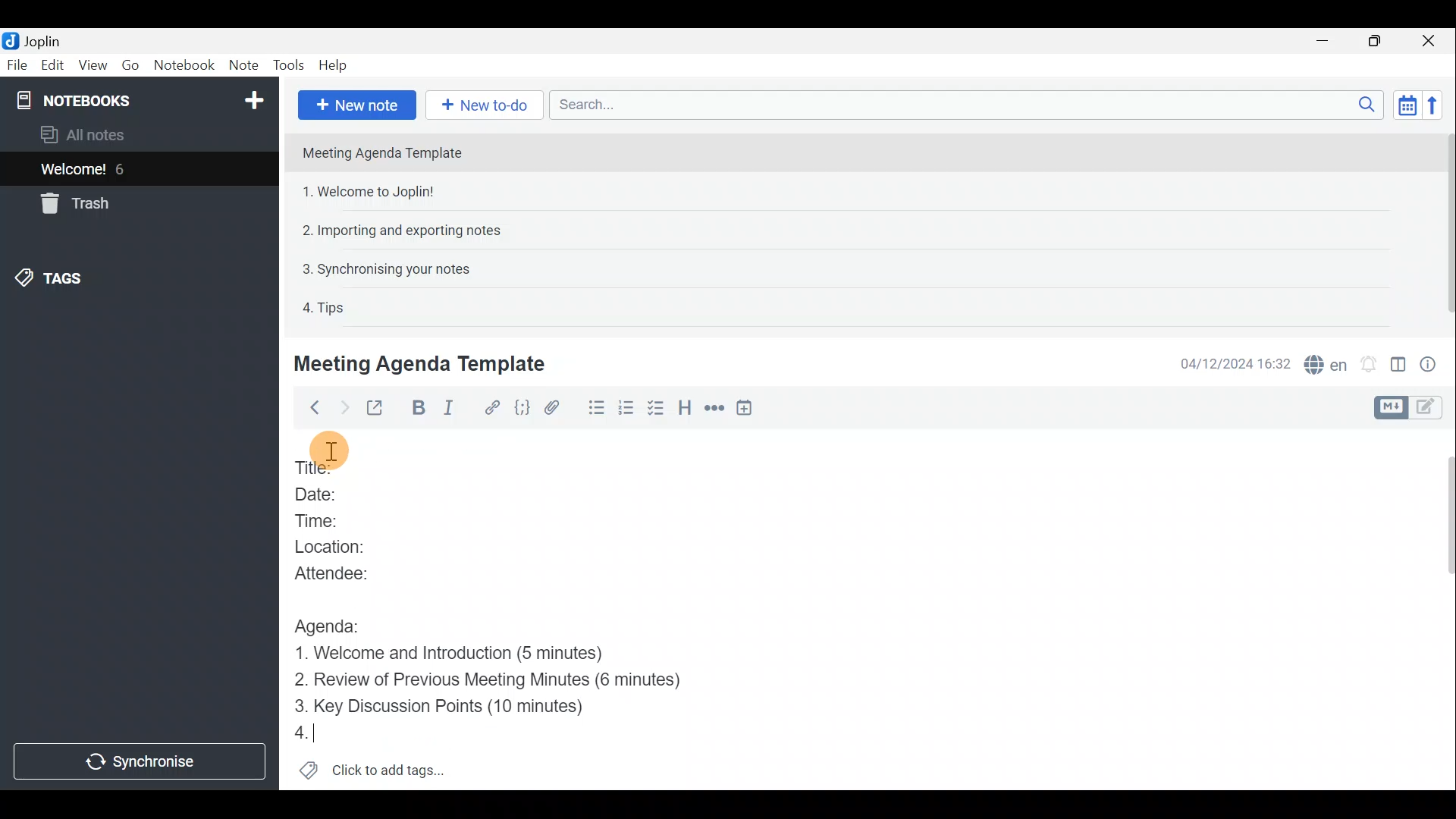  Describe the element at coordinates (373, 191) in the screenshot. I see `1. Welcome to Joplin!` at that location.